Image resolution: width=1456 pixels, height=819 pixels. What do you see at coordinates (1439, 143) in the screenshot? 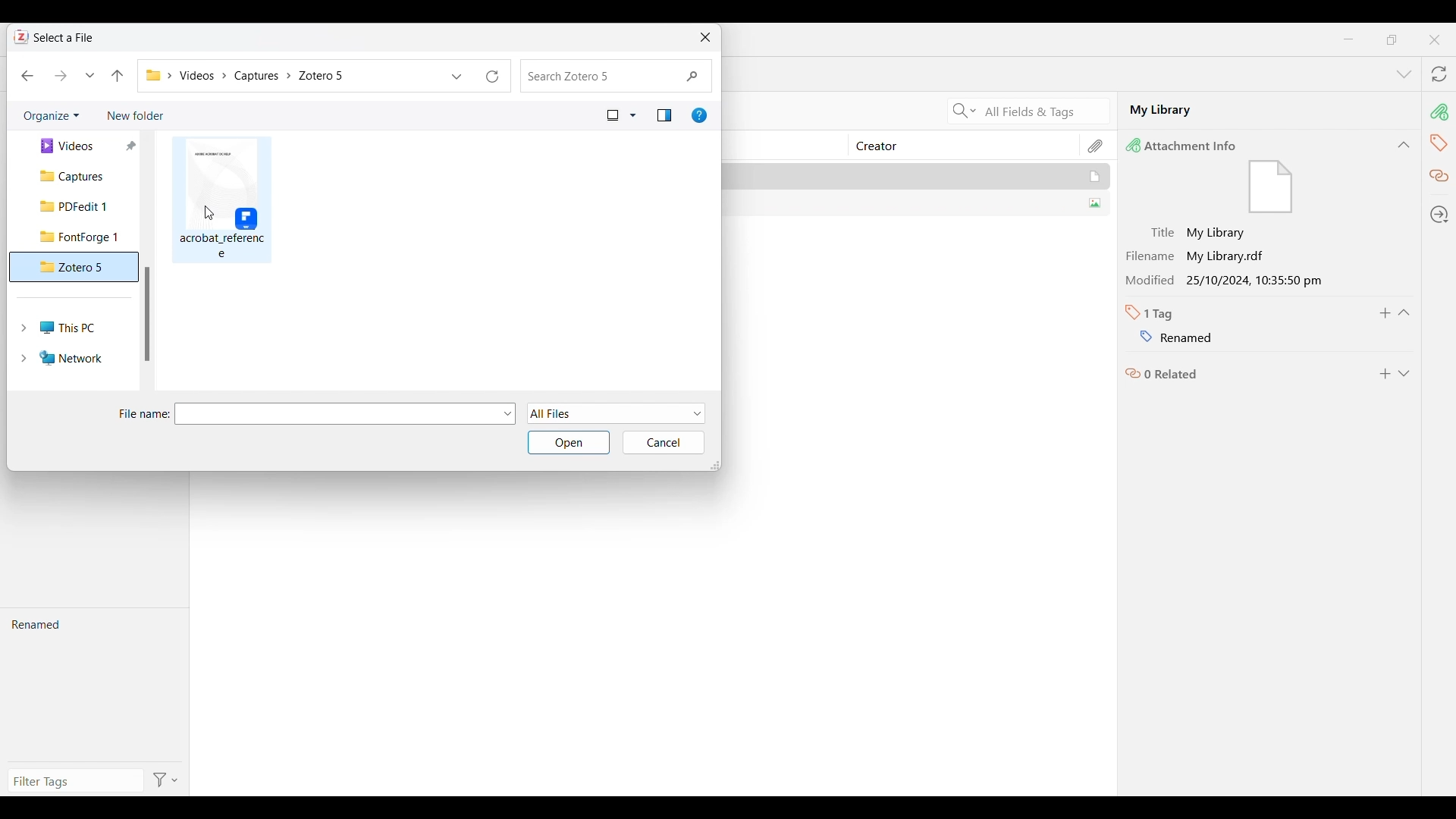
I see `Tags` at bounding box center [1439, 143].